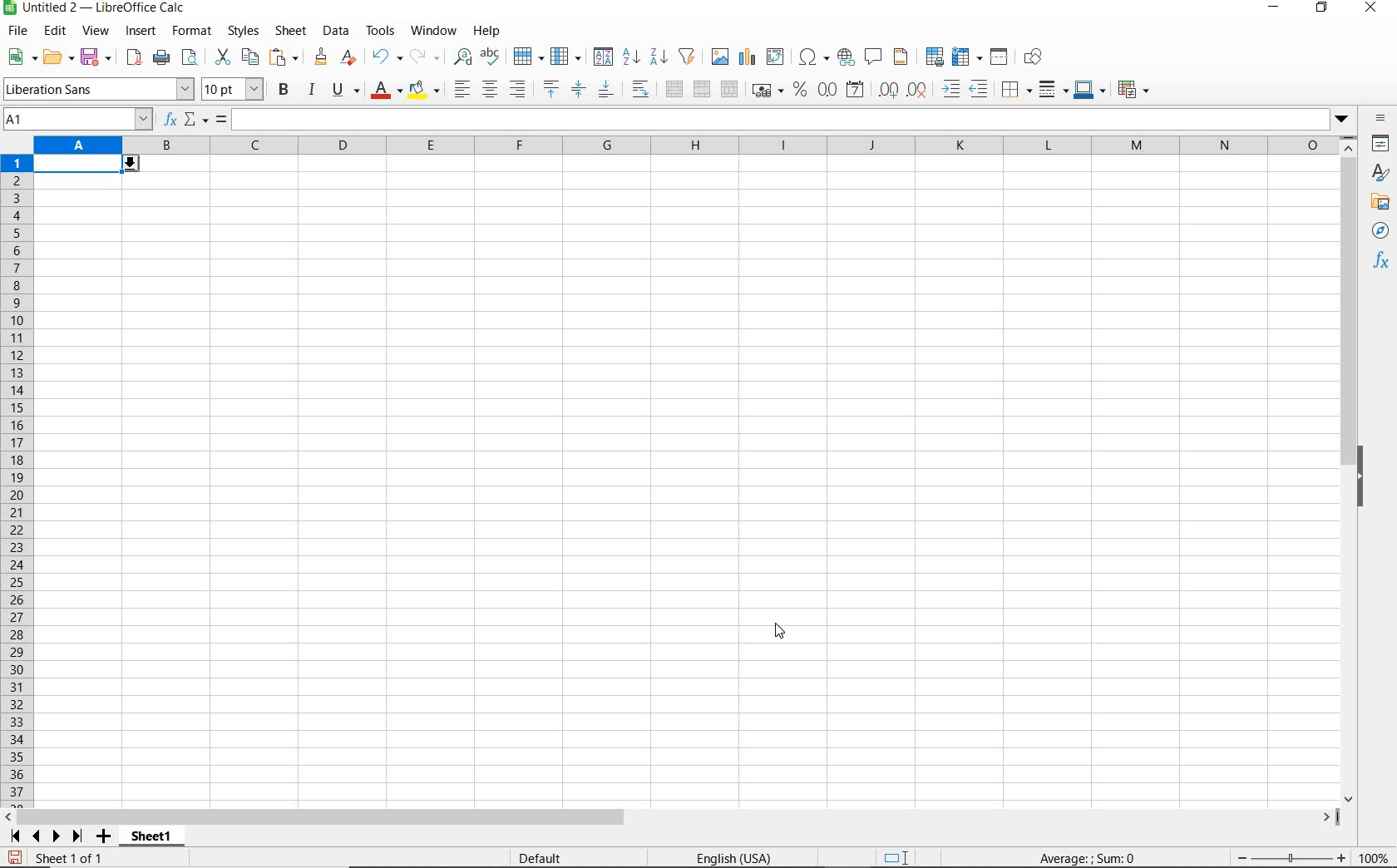  I want to click on wrap text, so click(643, 88).